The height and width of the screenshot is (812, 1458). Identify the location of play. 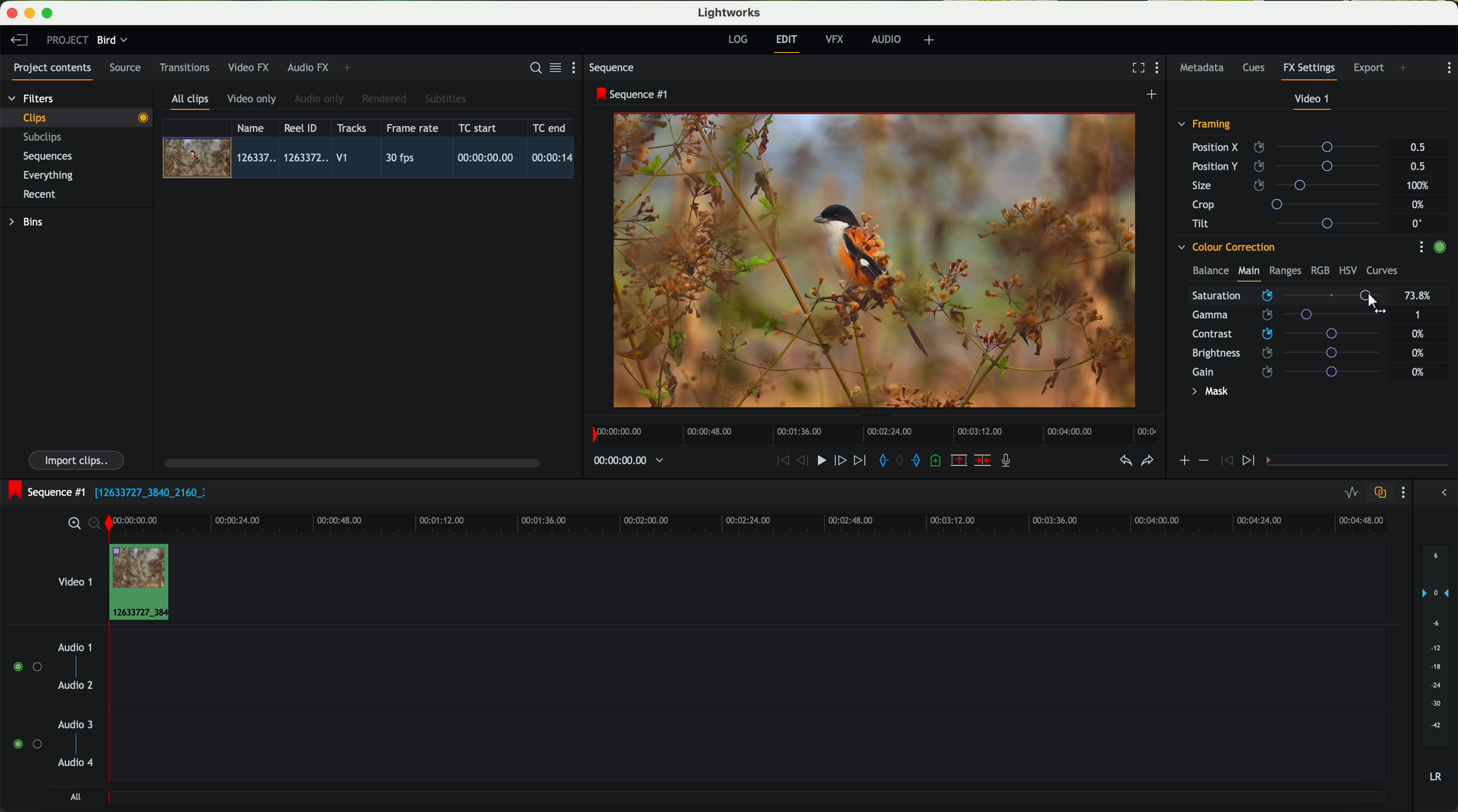
(821, 459).